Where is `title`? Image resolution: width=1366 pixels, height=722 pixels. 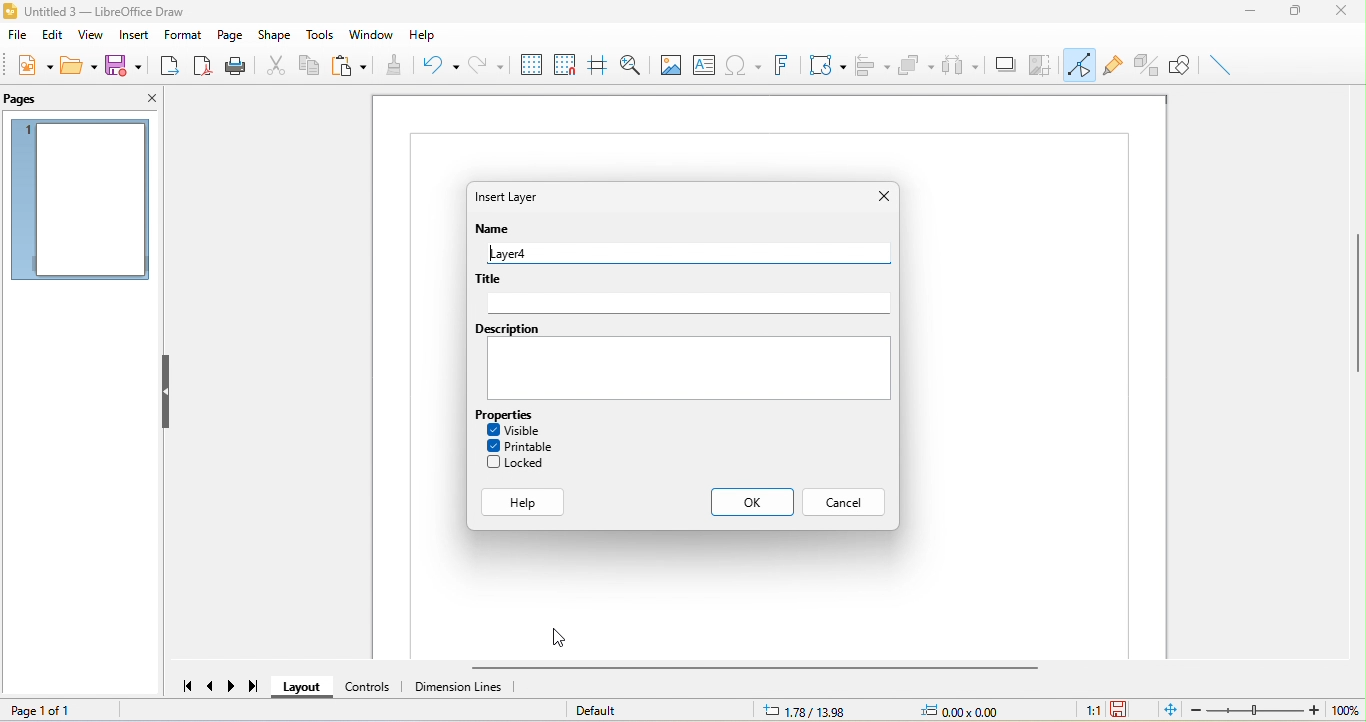
title is located at coordinates (108, 10).